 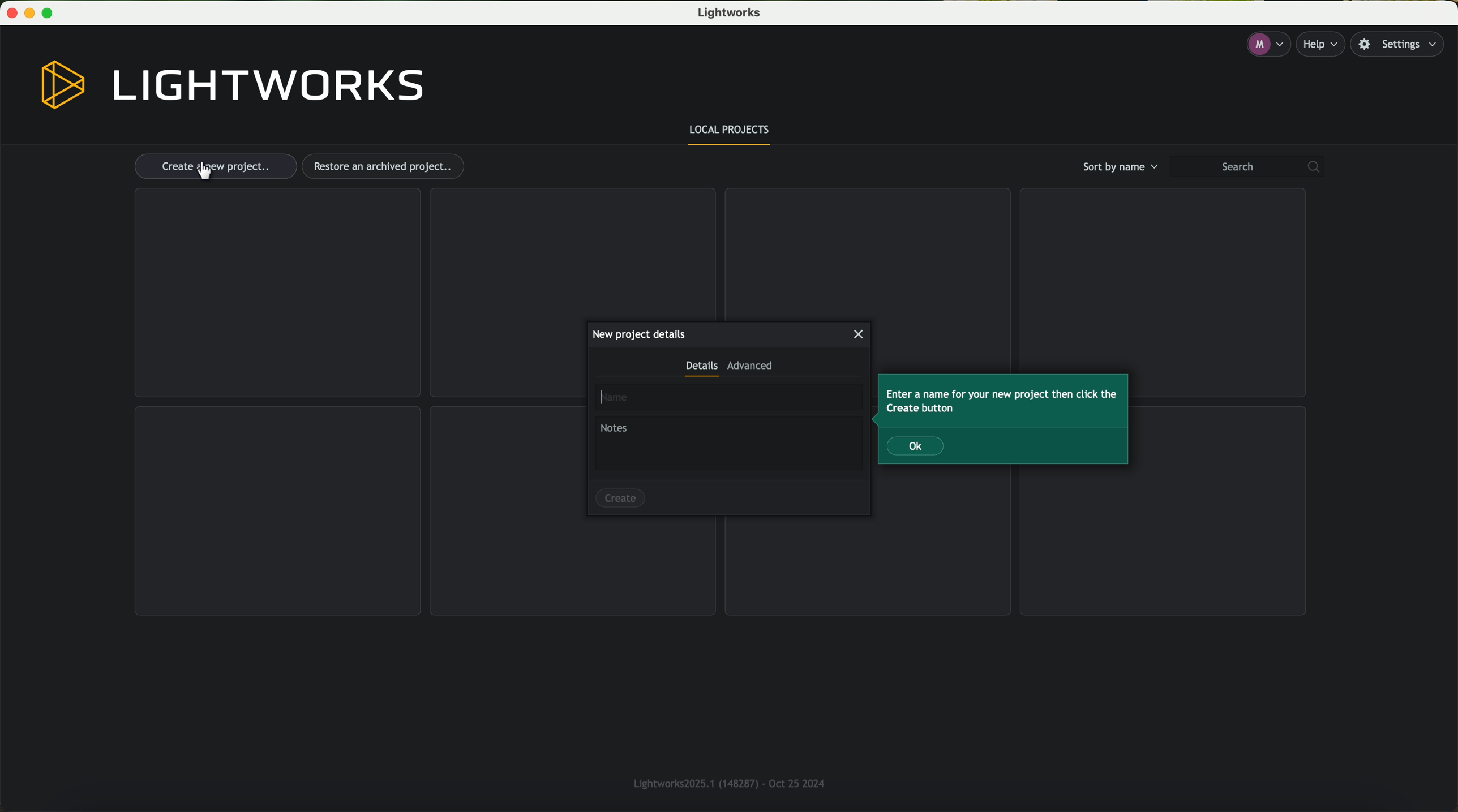 What do you see at coordinates (233, 85) in the screenshot?
I see `Lightworks logo` at bounding box center [233, 85].